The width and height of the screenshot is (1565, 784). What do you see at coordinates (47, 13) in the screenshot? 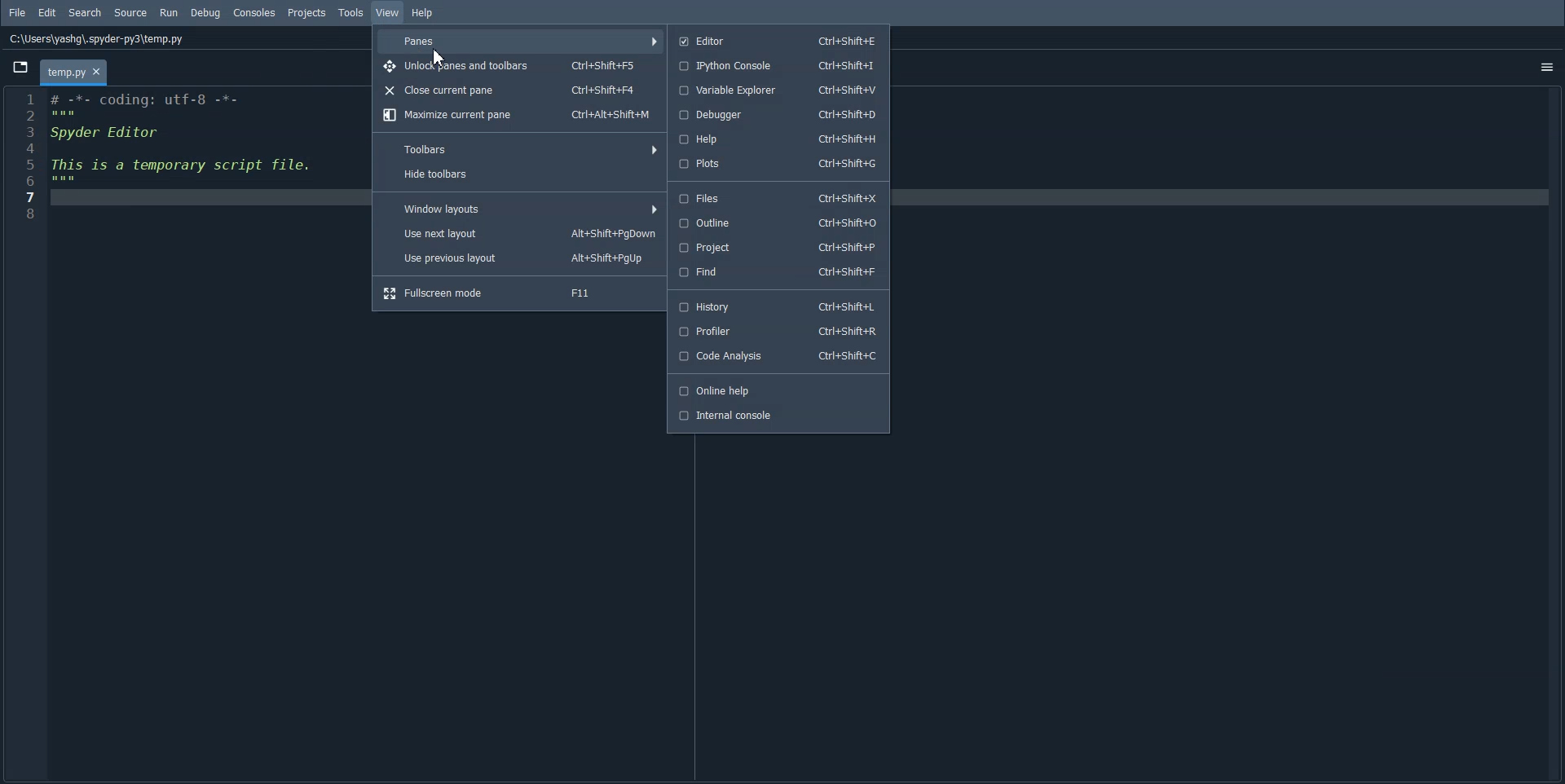
I see `Edit` at bounding box center [47, 13].